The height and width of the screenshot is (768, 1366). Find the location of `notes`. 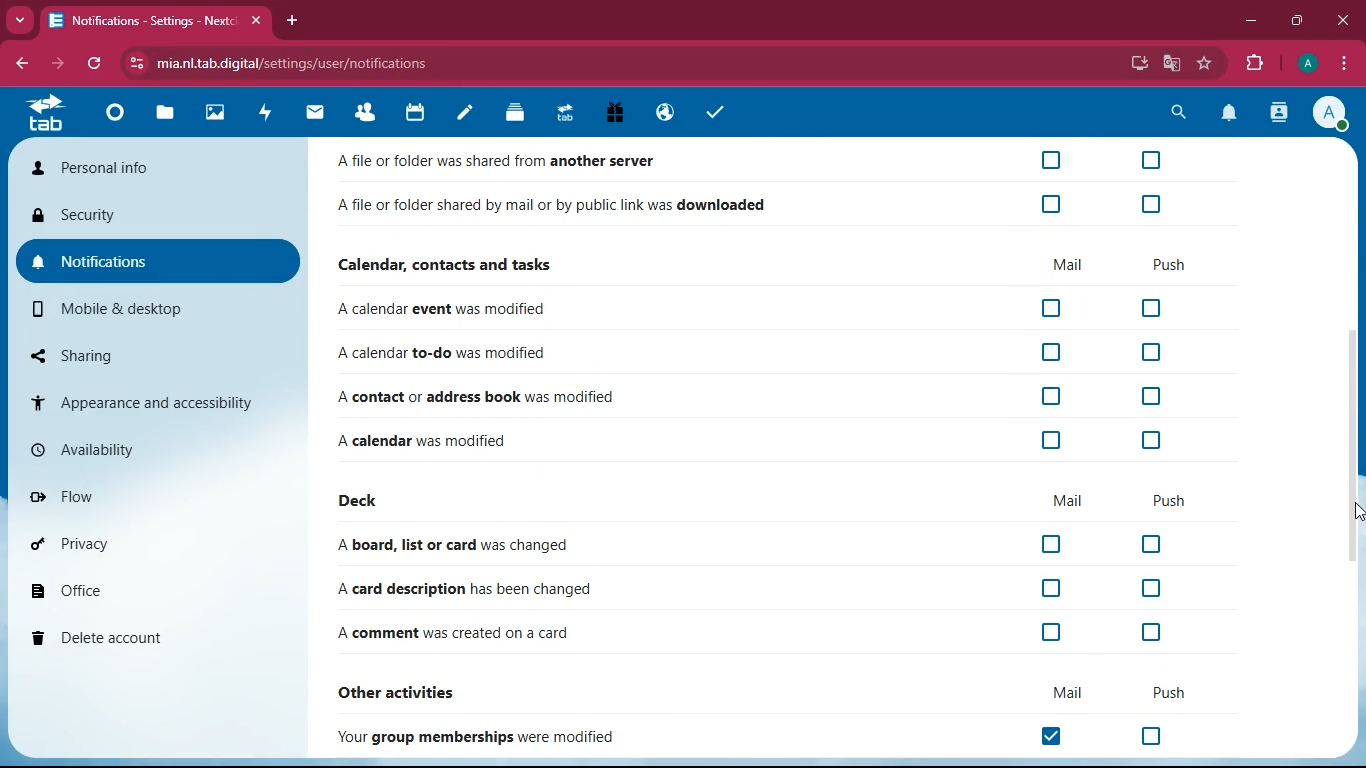

notes is located at coordinates (464, 116).